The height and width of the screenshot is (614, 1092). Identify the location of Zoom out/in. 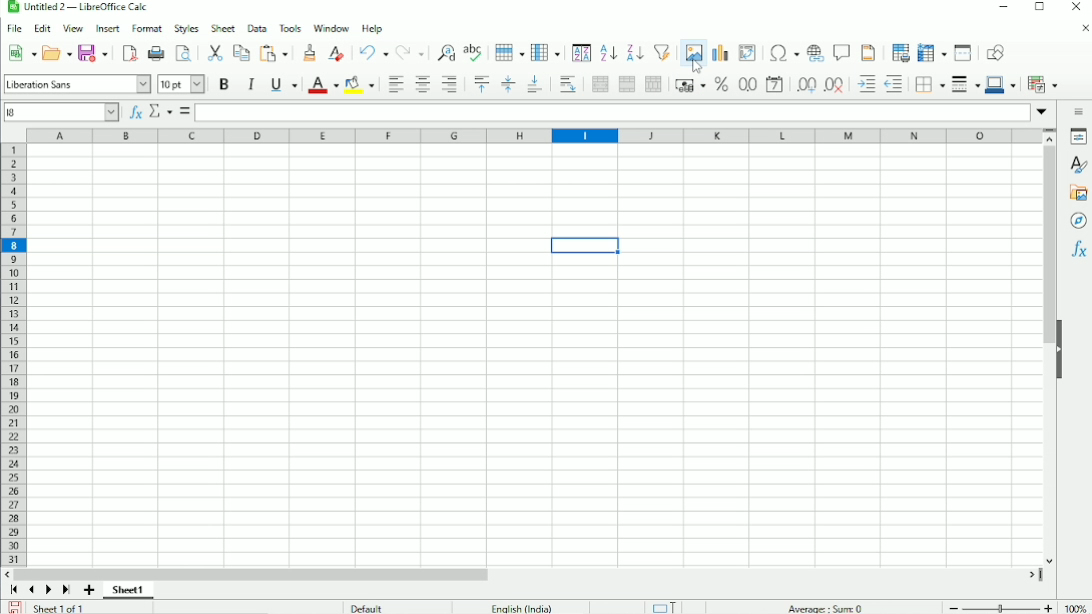
(1001, 607).